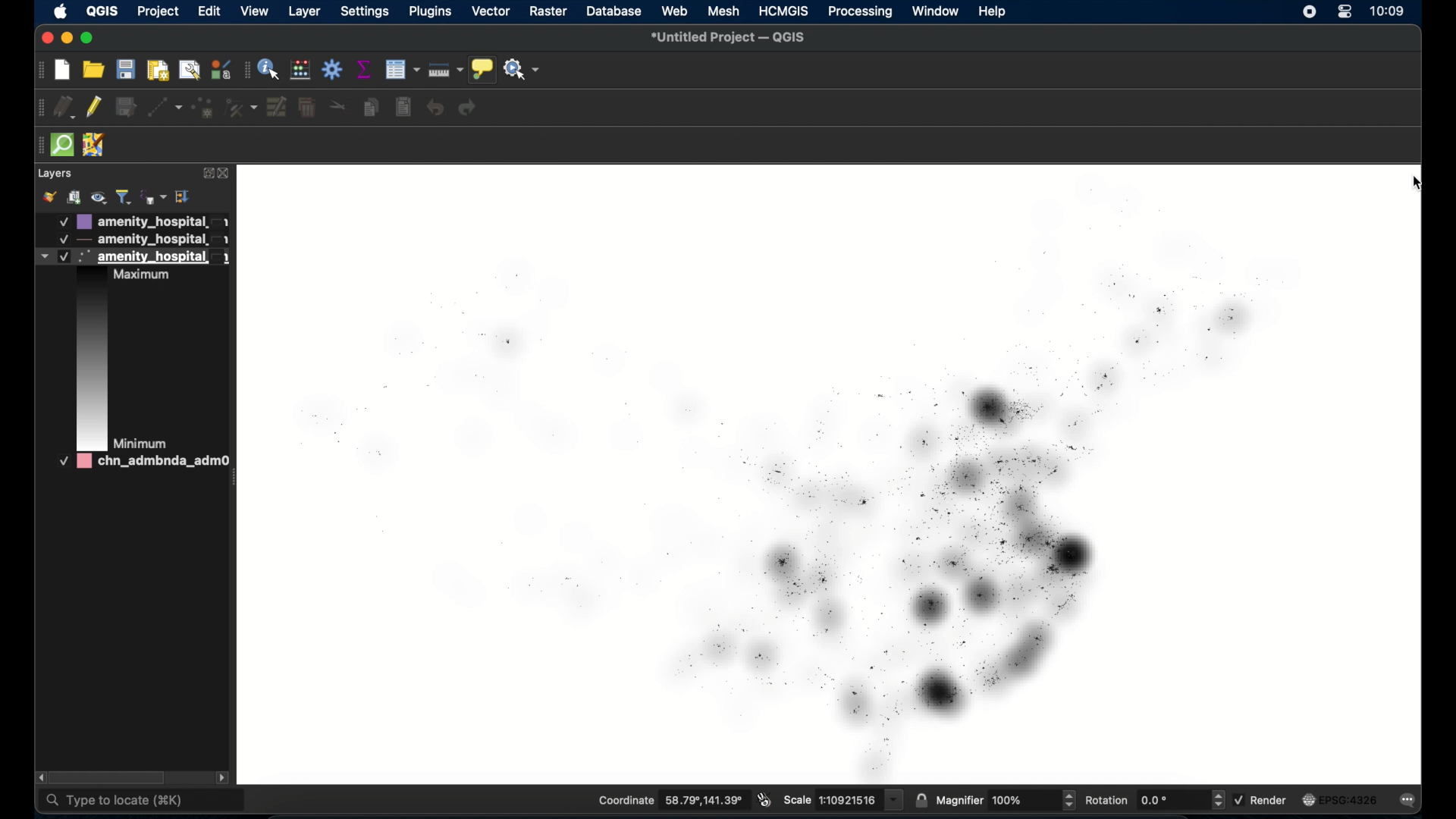 The width and height of the screenshot is (1456, 819). Describe the element at coordinates (127, 71) in the screenshot. I see `save project` at that location.